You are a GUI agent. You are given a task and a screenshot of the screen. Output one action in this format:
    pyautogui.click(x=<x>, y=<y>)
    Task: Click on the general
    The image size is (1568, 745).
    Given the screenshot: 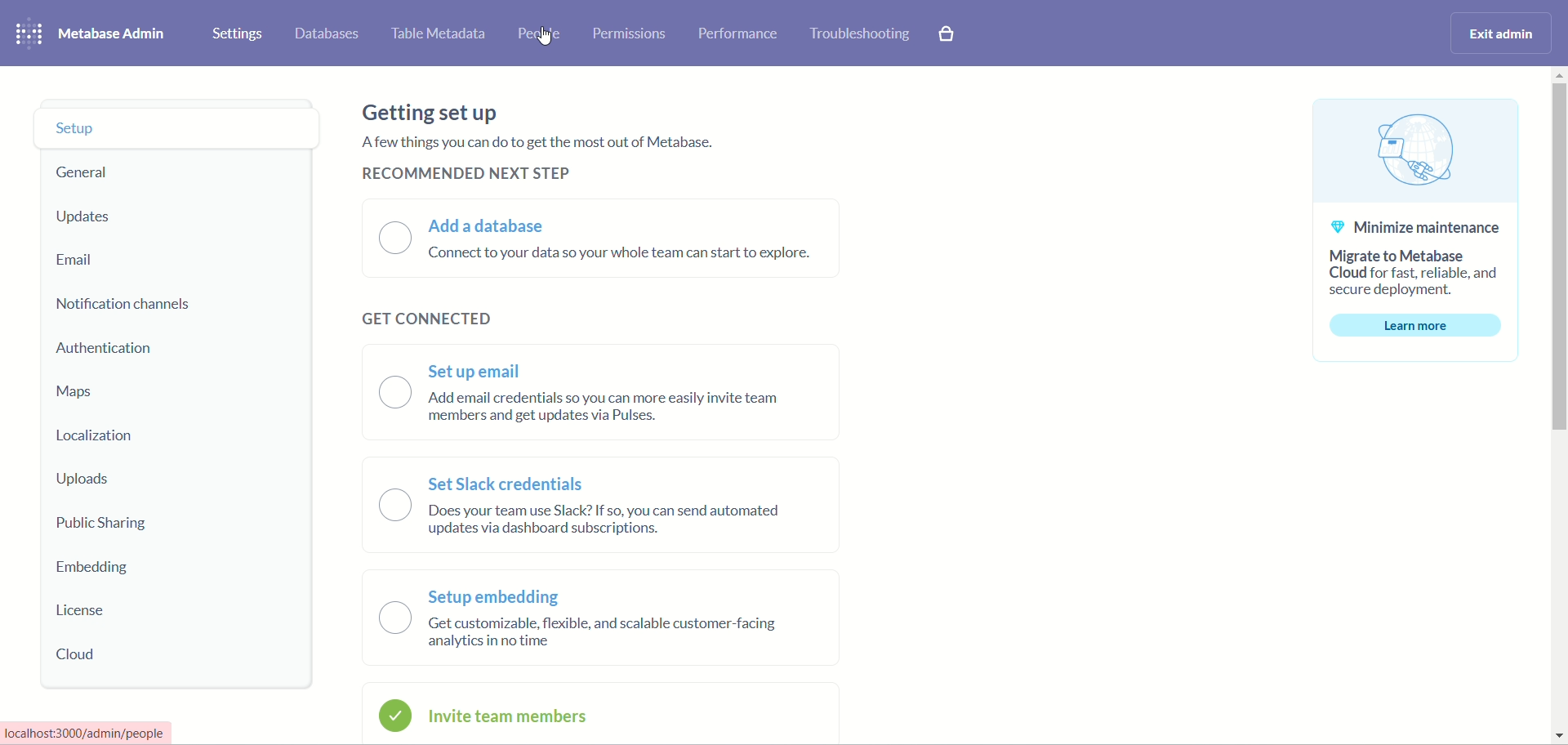 What is the action you would take?
    pyautogui.click(x=94, y=173)
    